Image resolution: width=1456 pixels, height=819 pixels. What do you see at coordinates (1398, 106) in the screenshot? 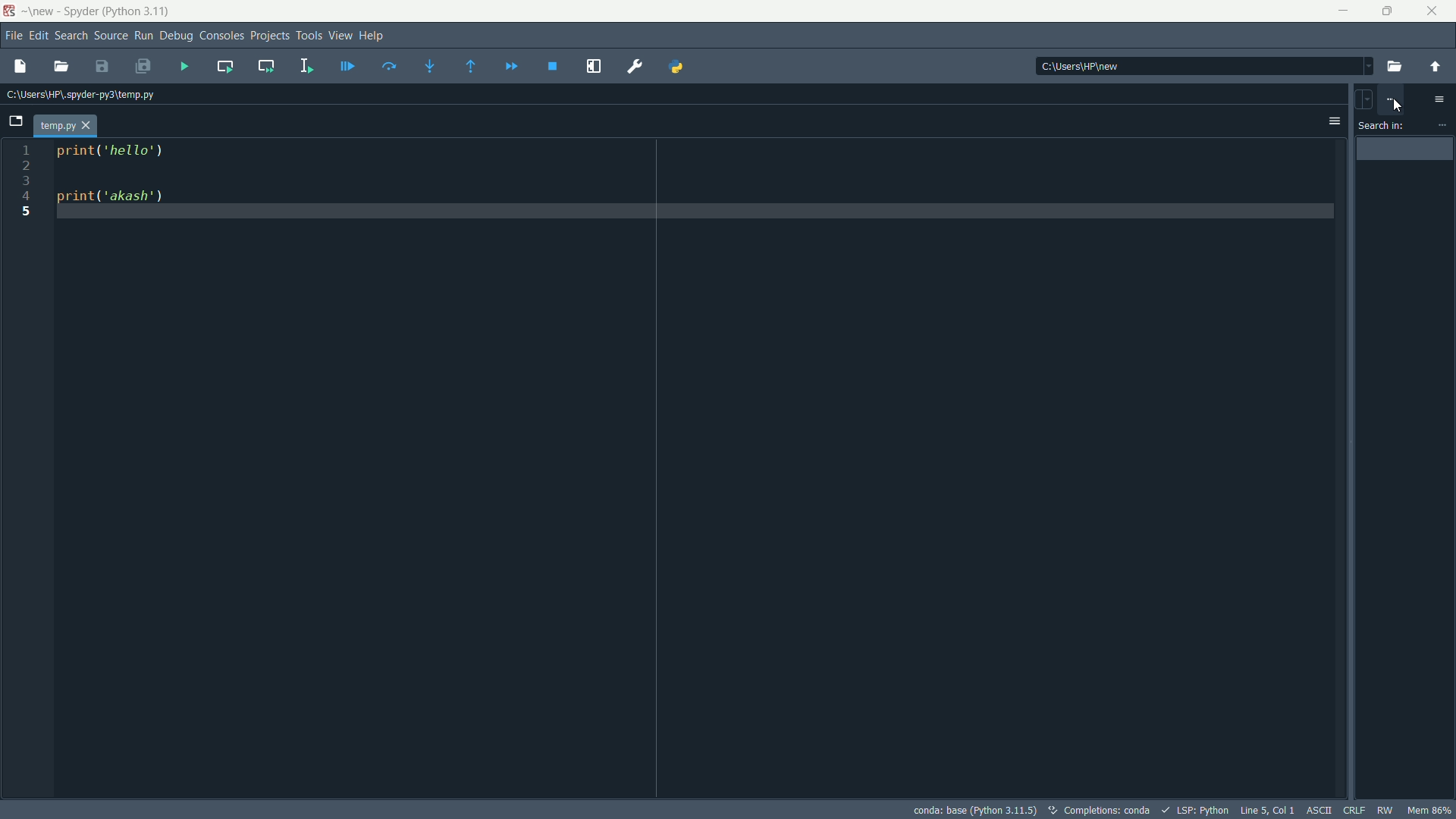
I see `cursor` at bounding box center [1398, 106].